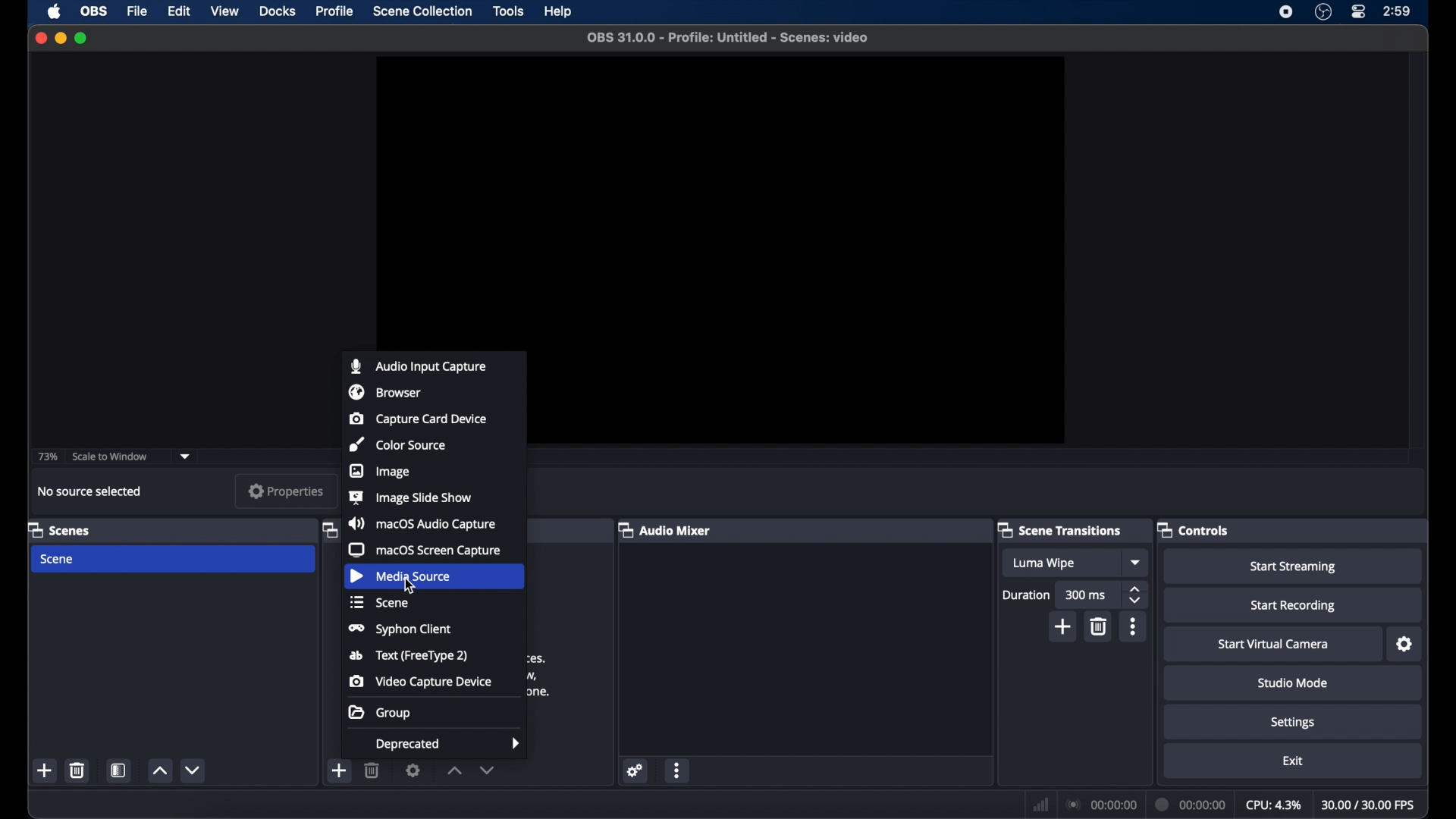  I want to click on scale to window, so click(112, 456).